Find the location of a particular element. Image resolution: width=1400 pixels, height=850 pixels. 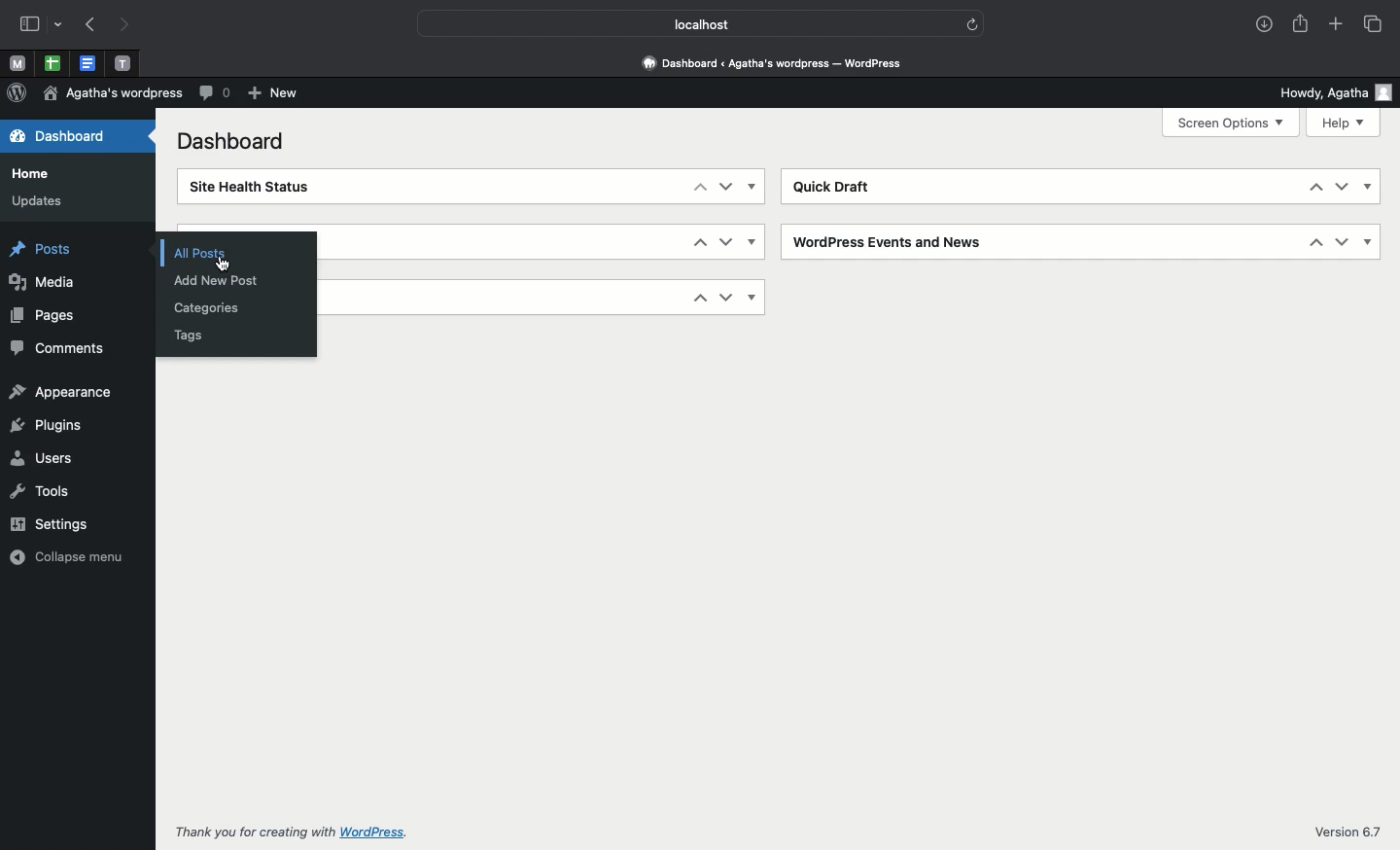

Version 6.7 is located at coordinates (1337, 834).